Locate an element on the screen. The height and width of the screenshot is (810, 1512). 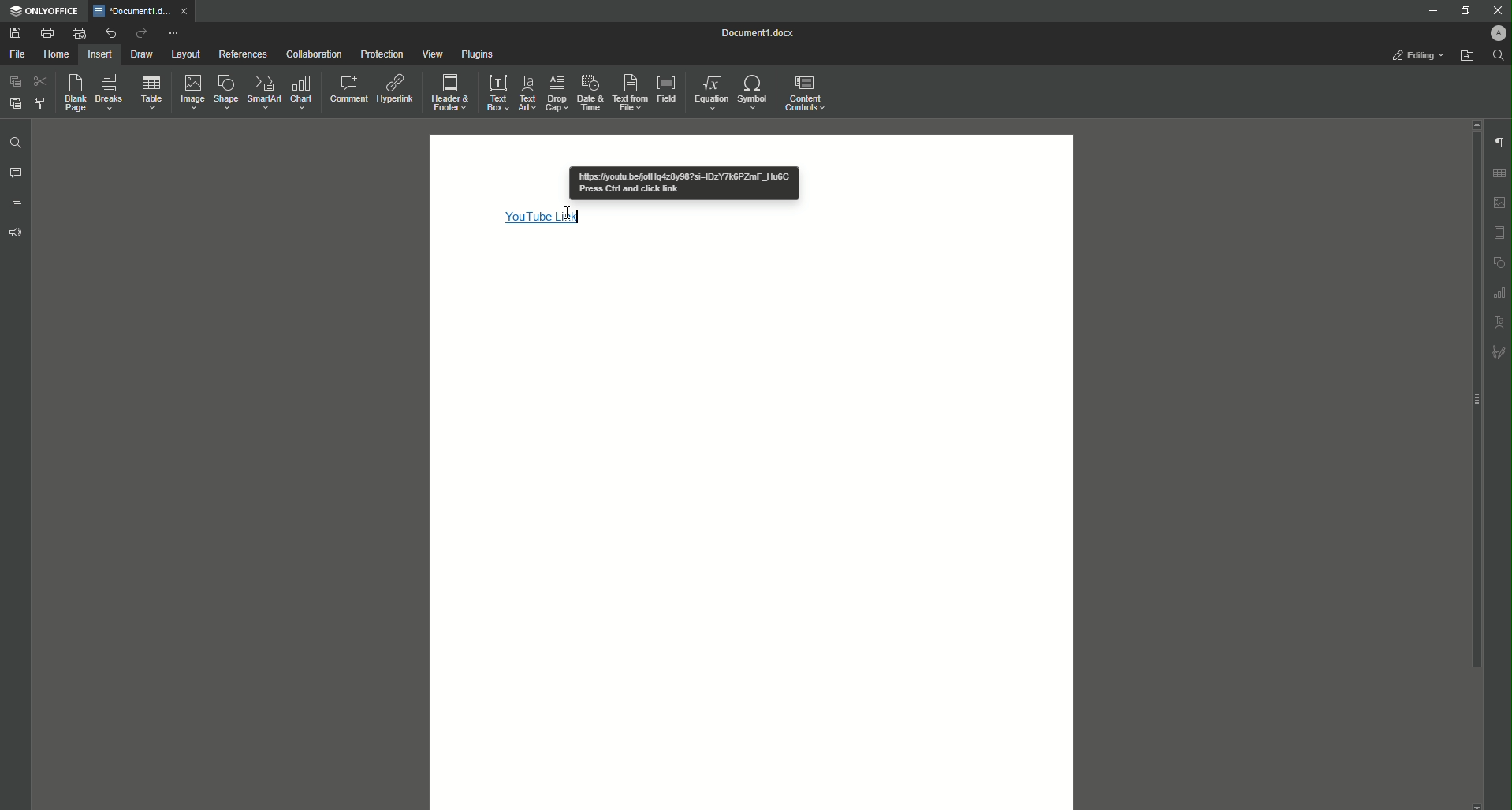
YouTube Link is located at coordinates (545, 217).